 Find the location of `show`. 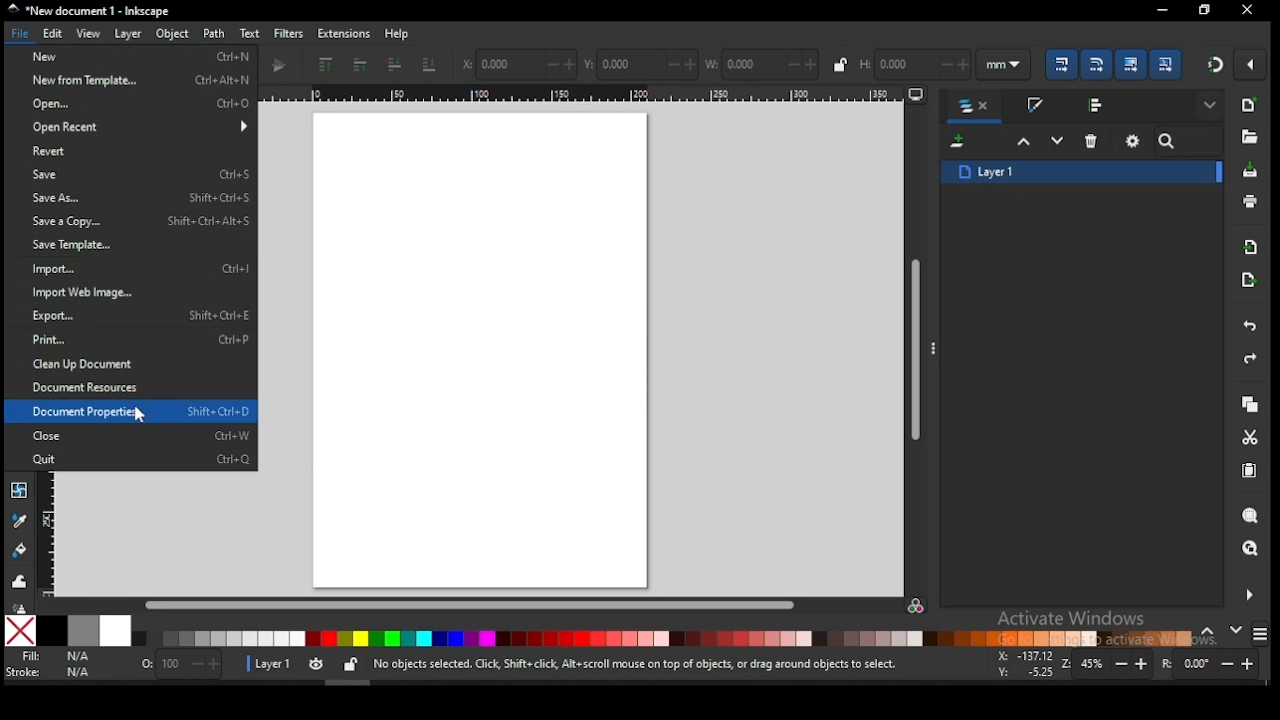

show is located at coordinates (1212, 106).